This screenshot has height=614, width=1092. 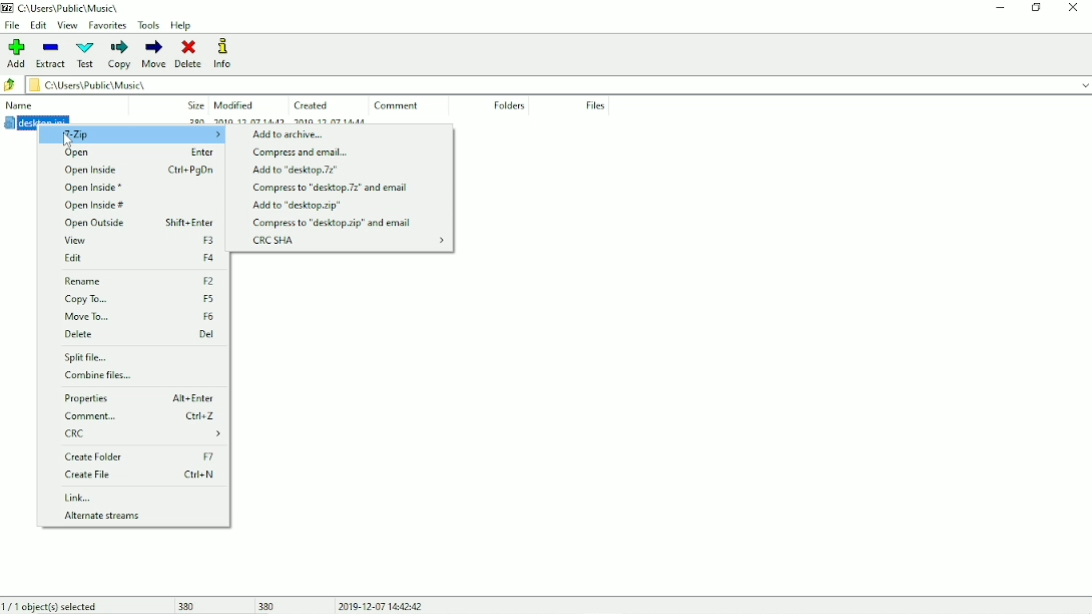 I want to click on Add to archive, so click(x=291, y=134).